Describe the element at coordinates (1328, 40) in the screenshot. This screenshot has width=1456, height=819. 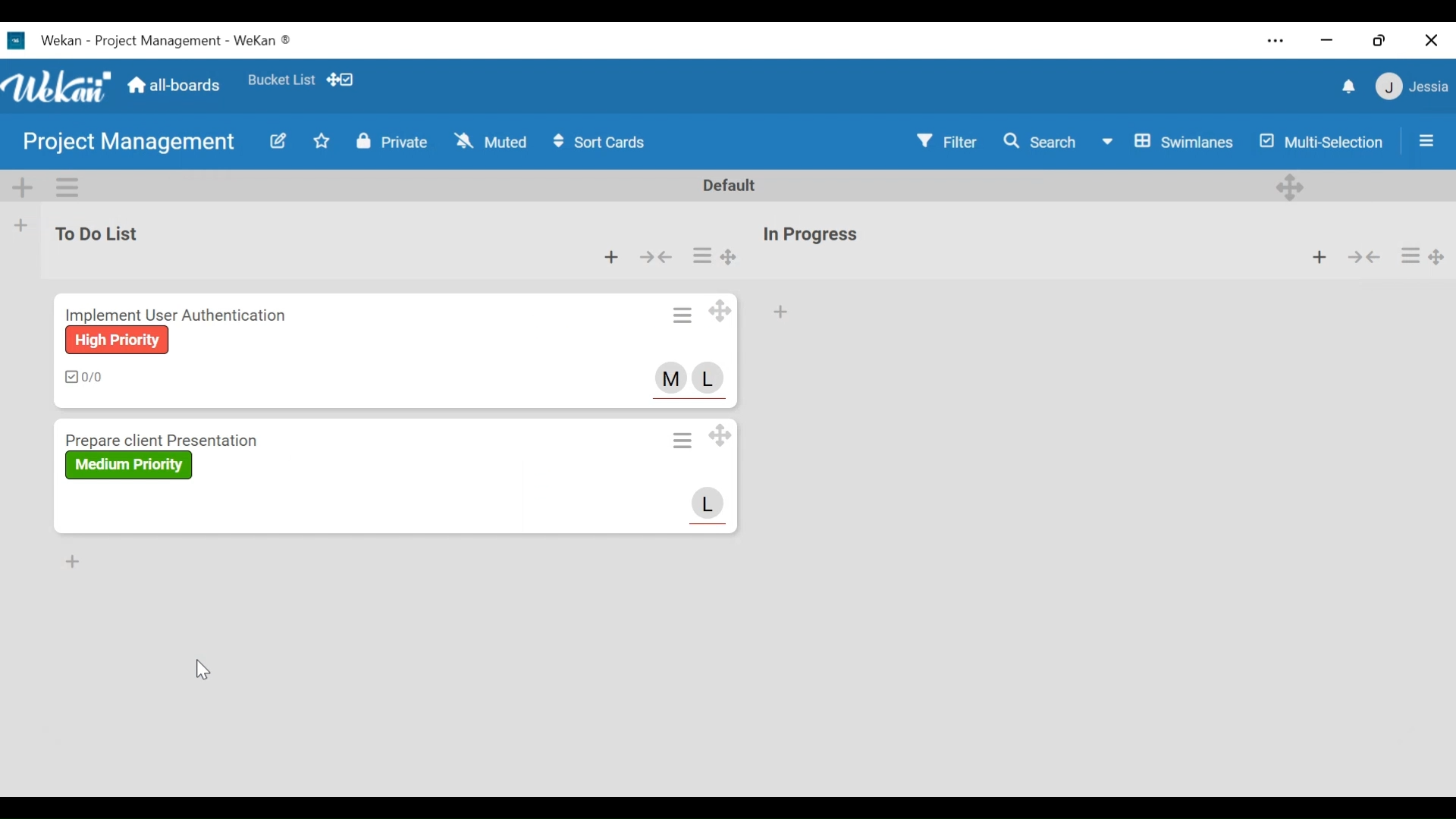
I see `minimize` at that location.